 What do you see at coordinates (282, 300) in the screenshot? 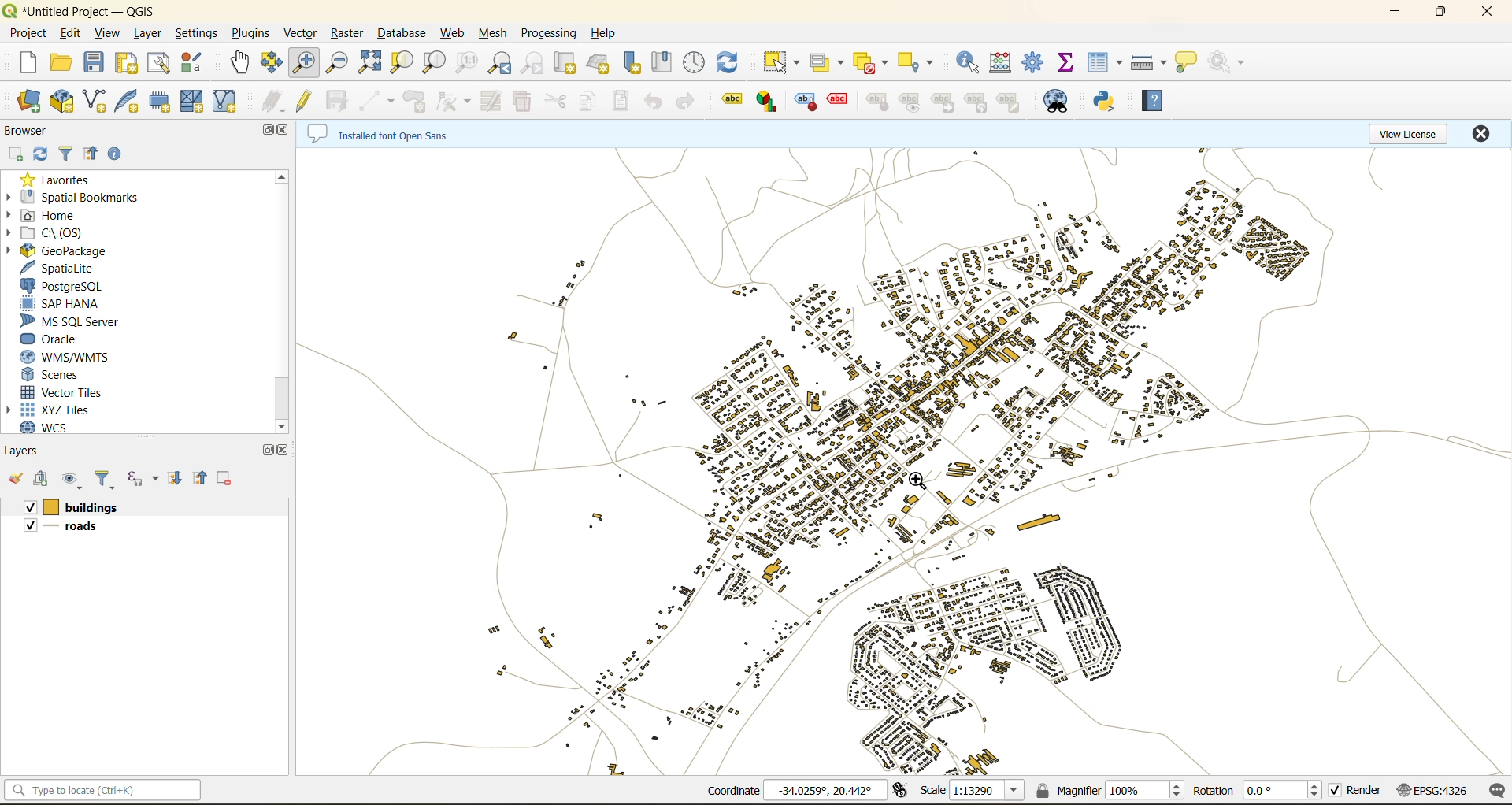
I see `vertical scroll bar` at bounding box center [282, 300].